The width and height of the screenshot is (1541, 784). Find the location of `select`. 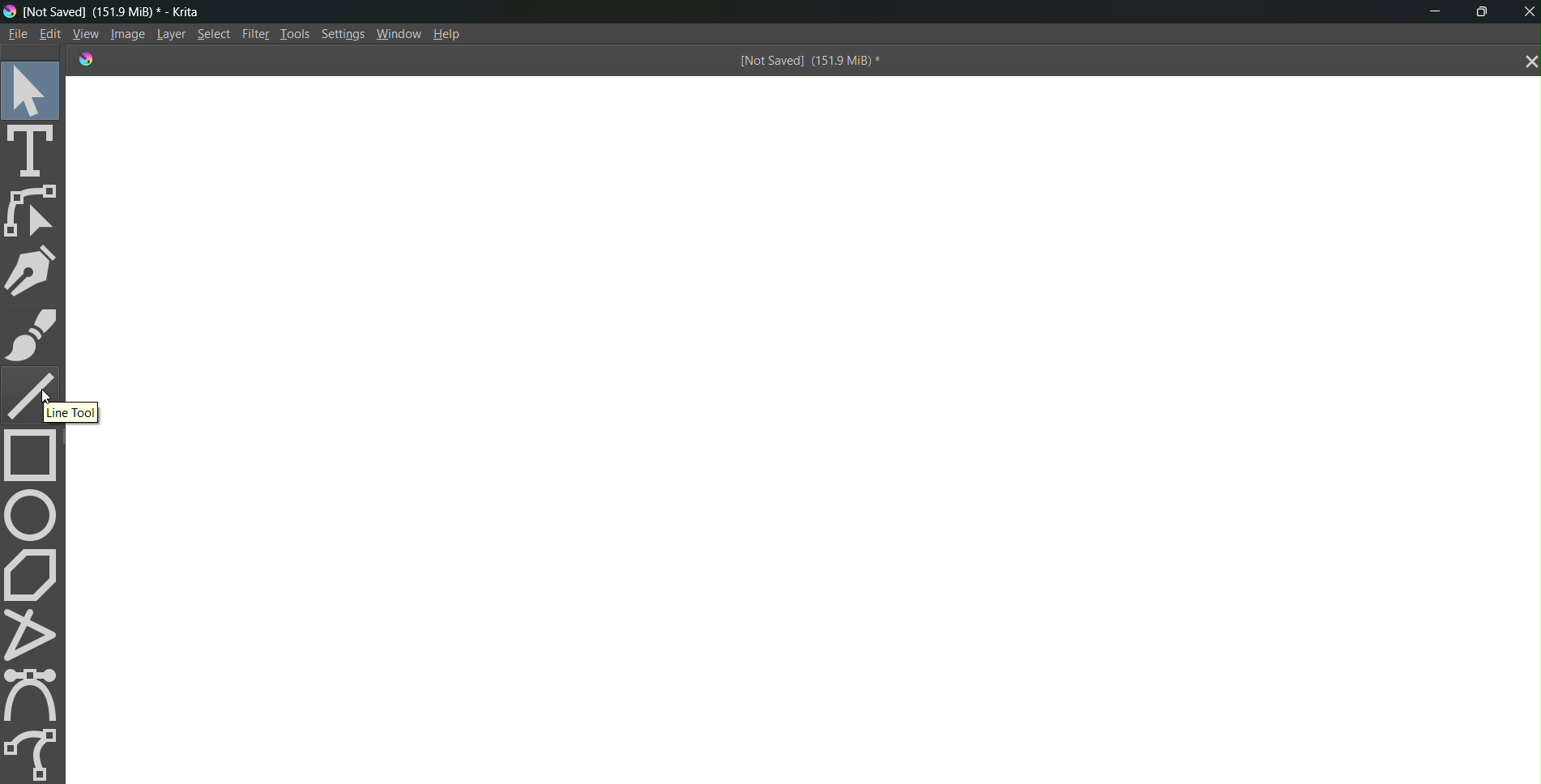

select is located at coordinates (35, 89).